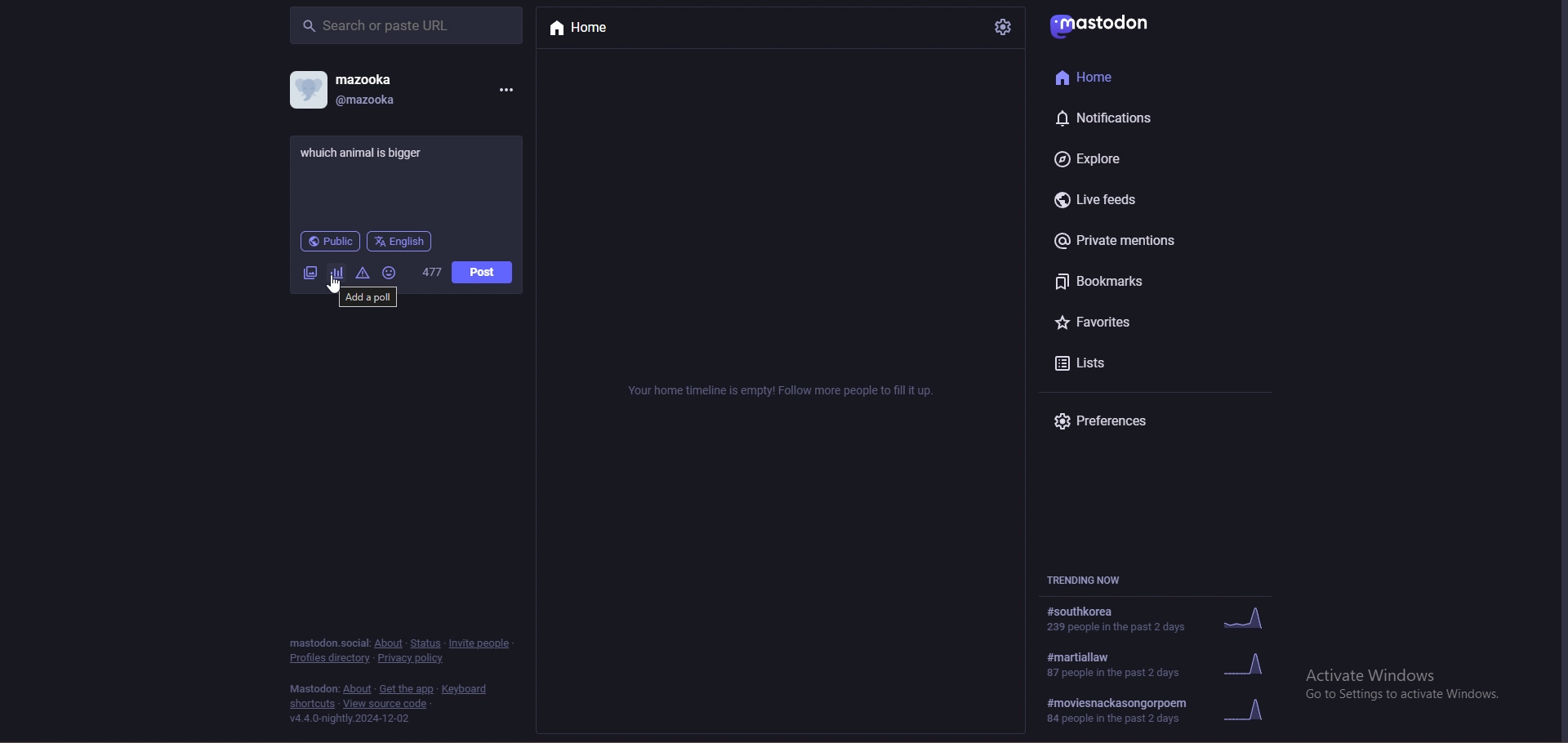 The width and height of the screenshot is (1568, 743). I want to click on home, so click(1114, 78).